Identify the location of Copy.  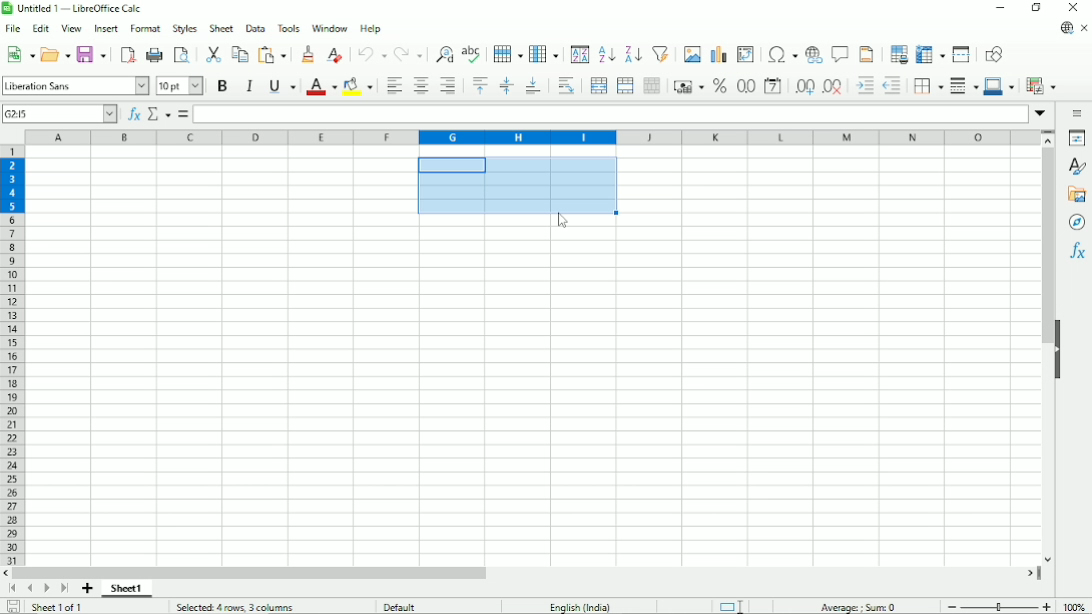
(239, 54).